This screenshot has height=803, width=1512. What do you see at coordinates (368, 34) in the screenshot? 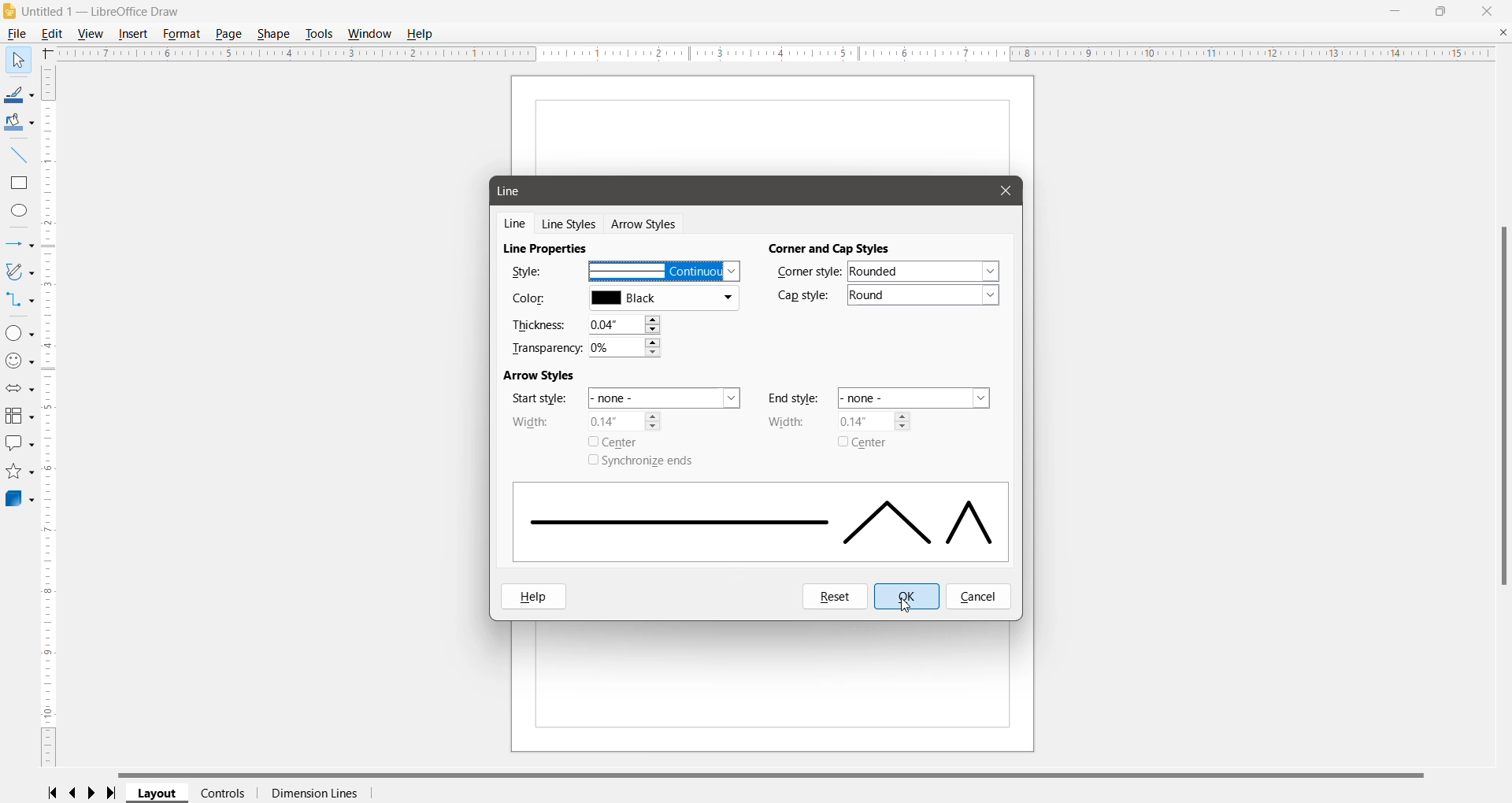
I see `Window` at bounding box center [368, 34].